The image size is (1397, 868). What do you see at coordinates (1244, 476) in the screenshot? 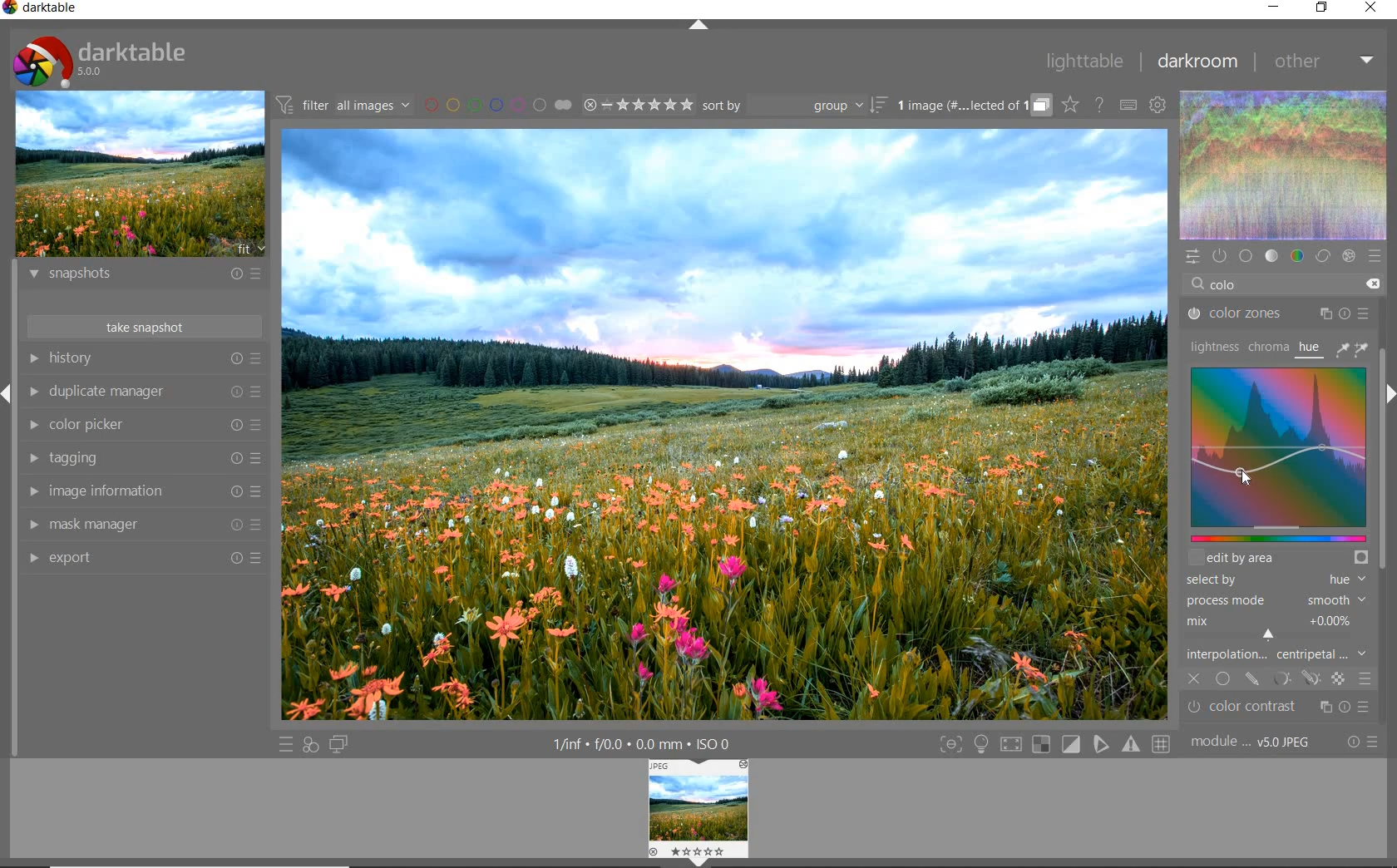
I see `cursor position` at bounding box center [1244, 476].